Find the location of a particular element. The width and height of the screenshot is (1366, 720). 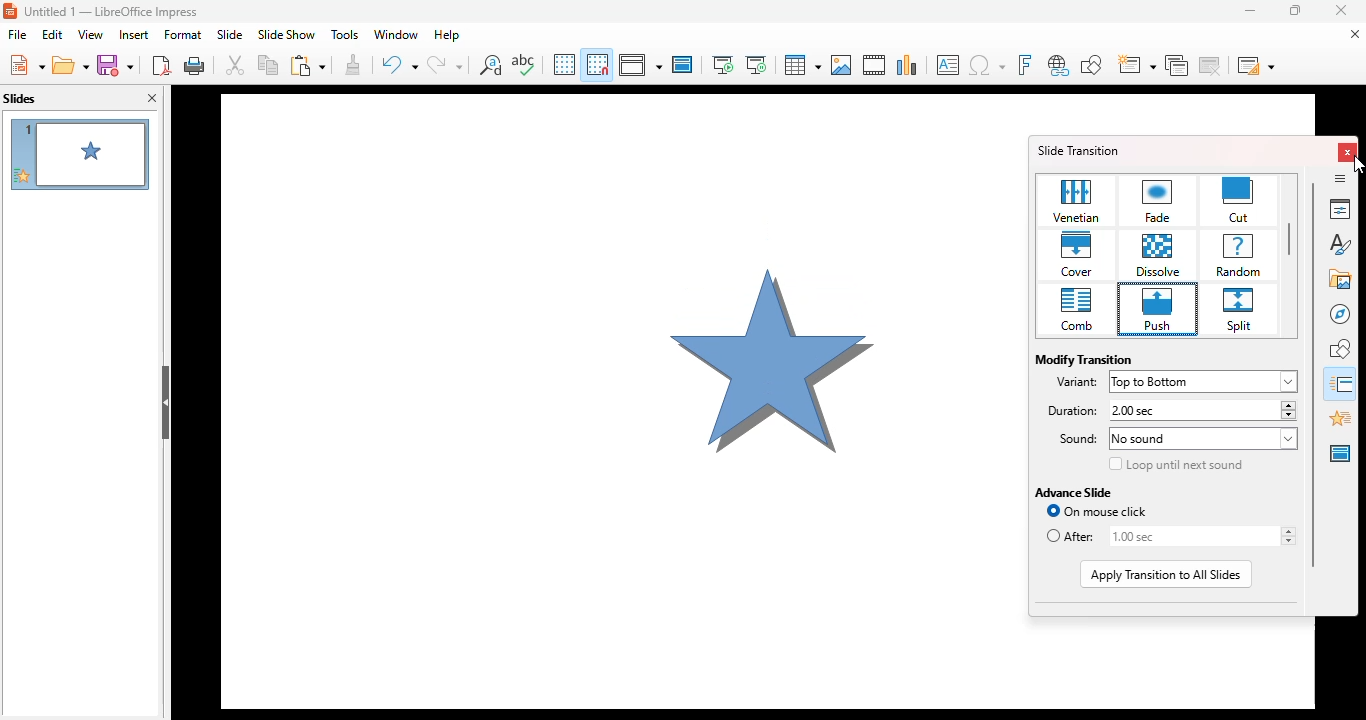

variant is located at coordinates (1078, 382).